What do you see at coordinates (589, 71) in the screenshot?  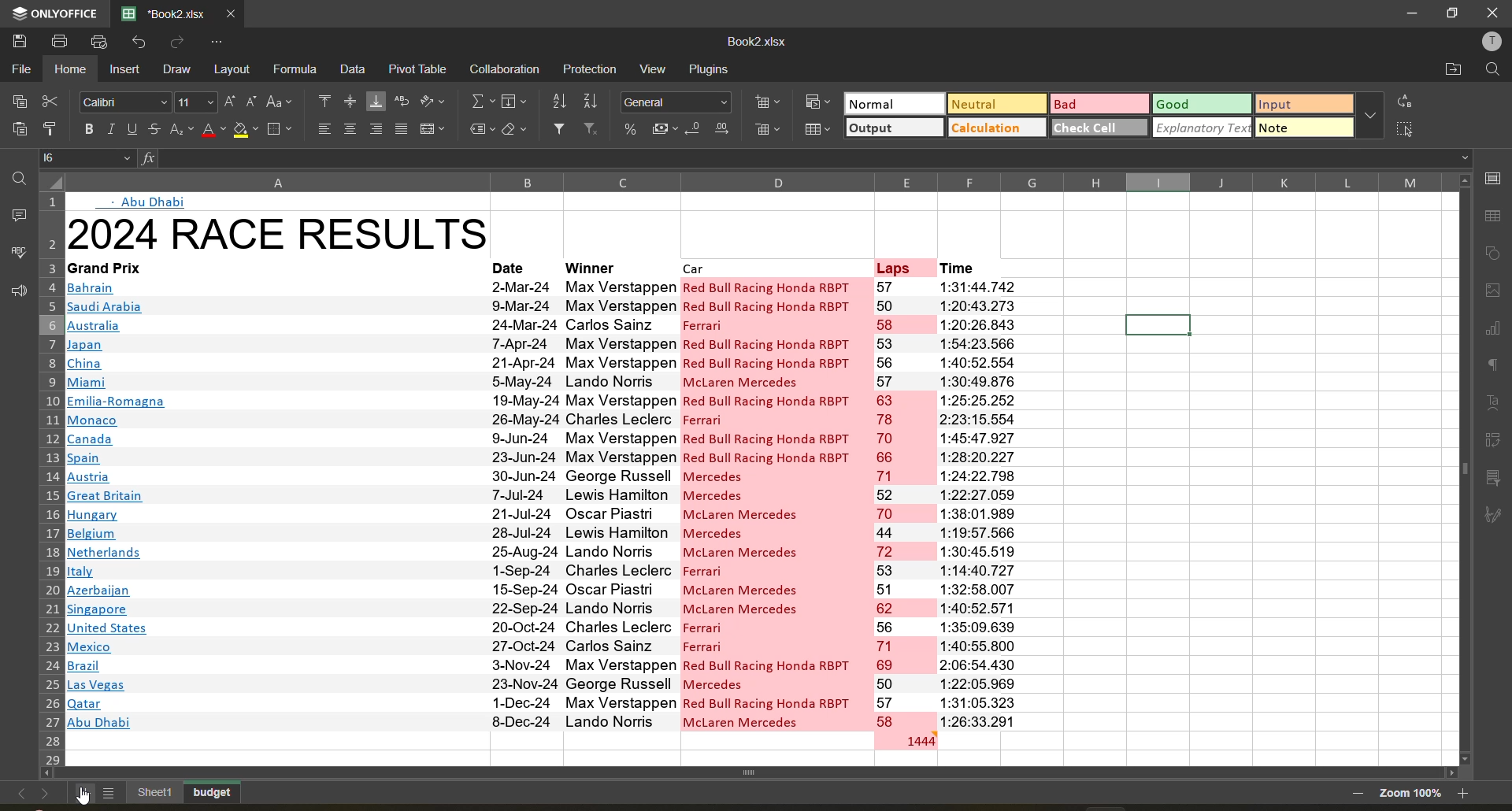 I see `protection` at bounding box center [589, 71].